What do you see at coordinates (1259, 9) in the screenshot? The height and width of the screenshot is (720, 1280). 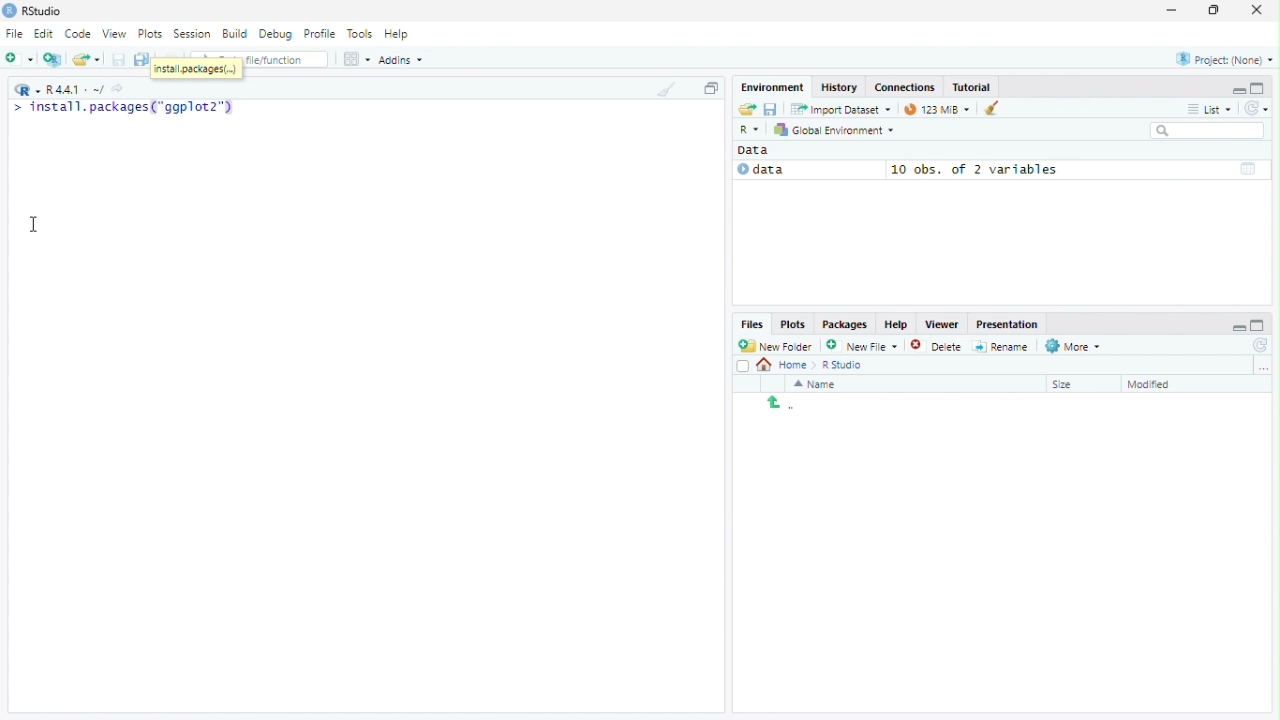 I see `Close` at bounding box center [1259, 9].